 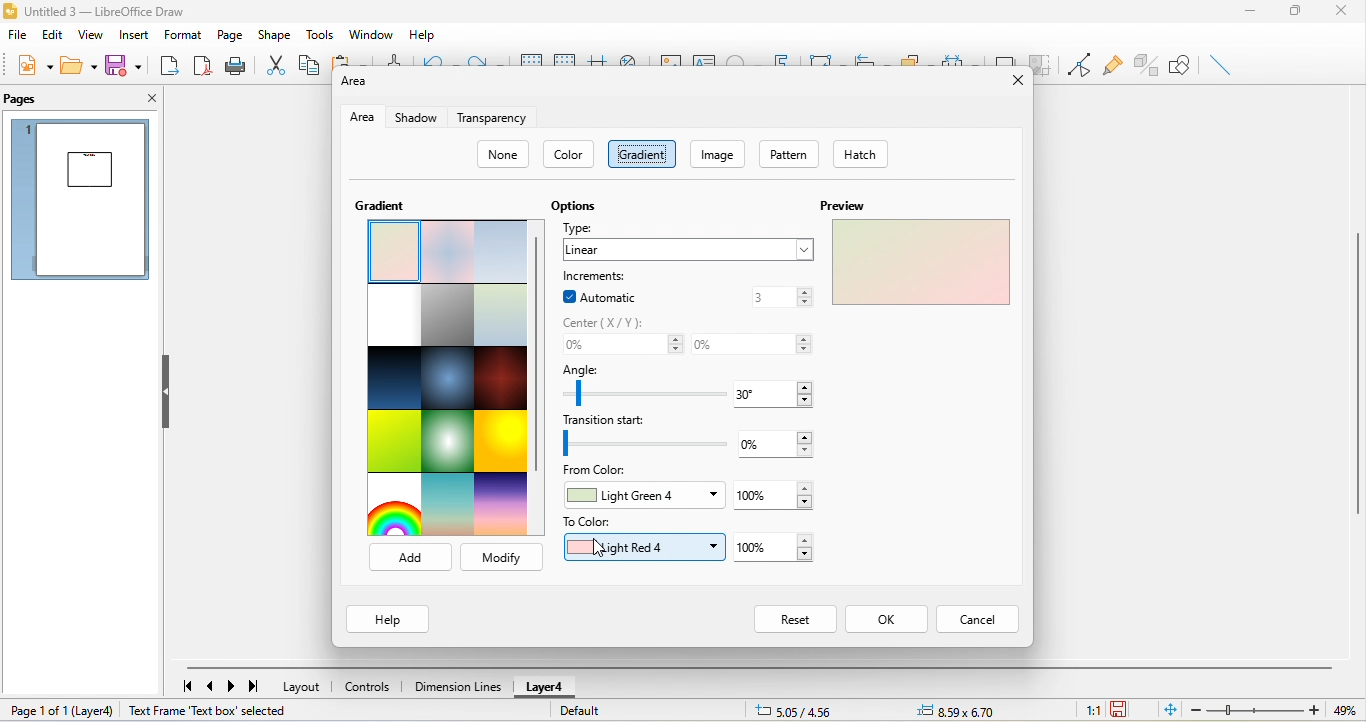 I want to click on pastel dream, so click(x=446, y=252).